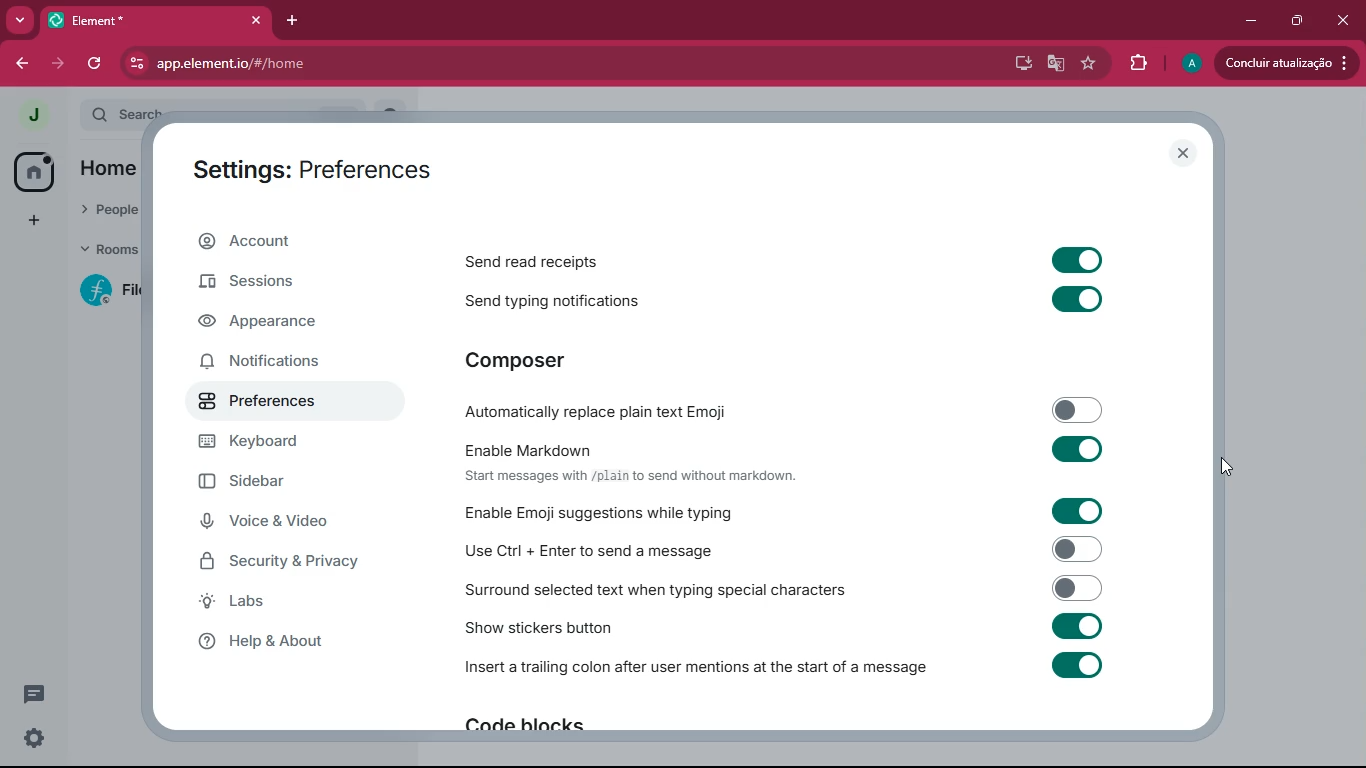 The width and height of the screenshot is (1366, 768). What do you see at coordinates (291, 561) in the screenshot?
I see `security & privacy` at bounding box center [291, 561].